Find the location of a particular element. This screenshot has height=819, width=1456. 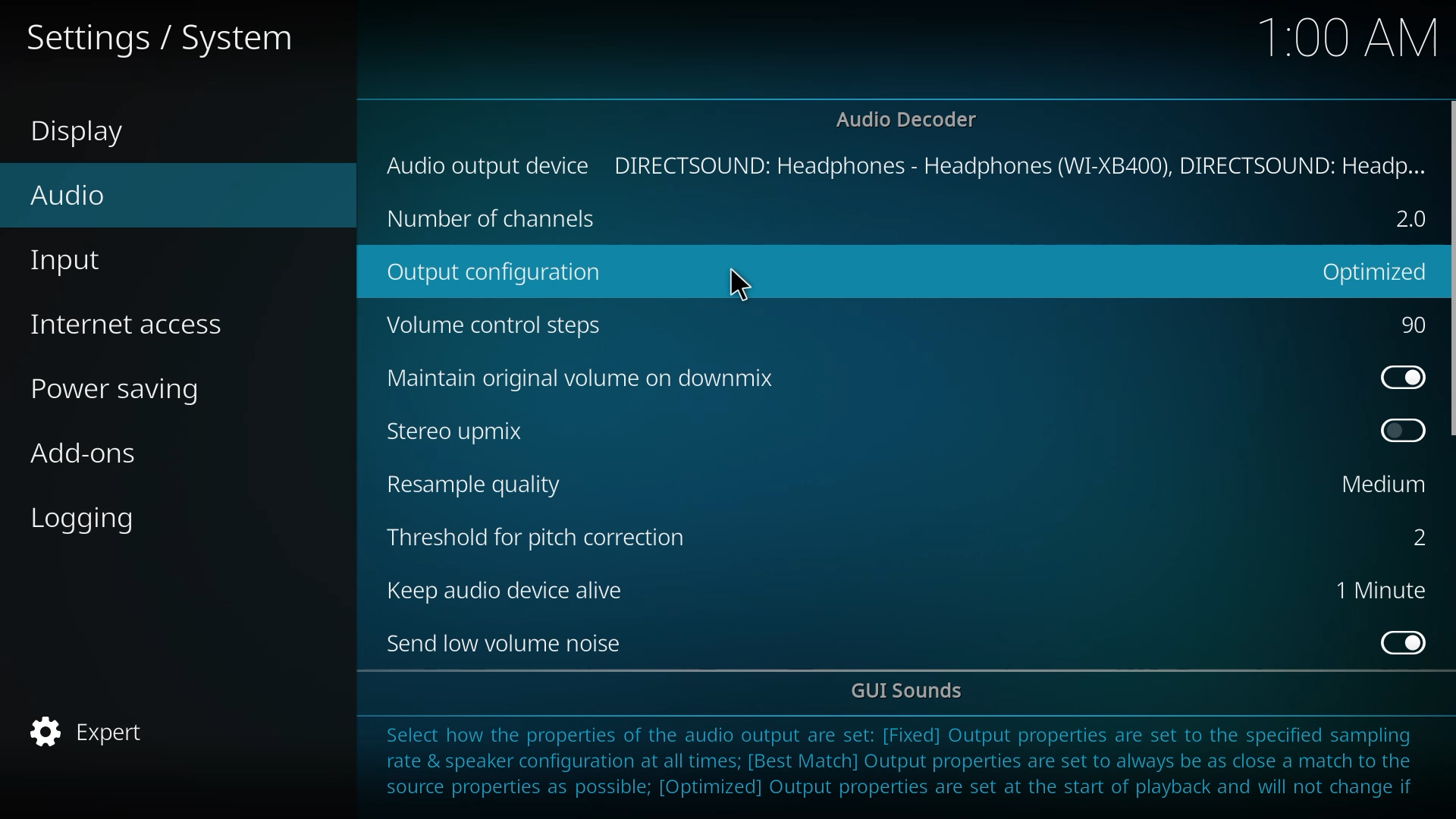

audio is located at coordinates (82, 193).